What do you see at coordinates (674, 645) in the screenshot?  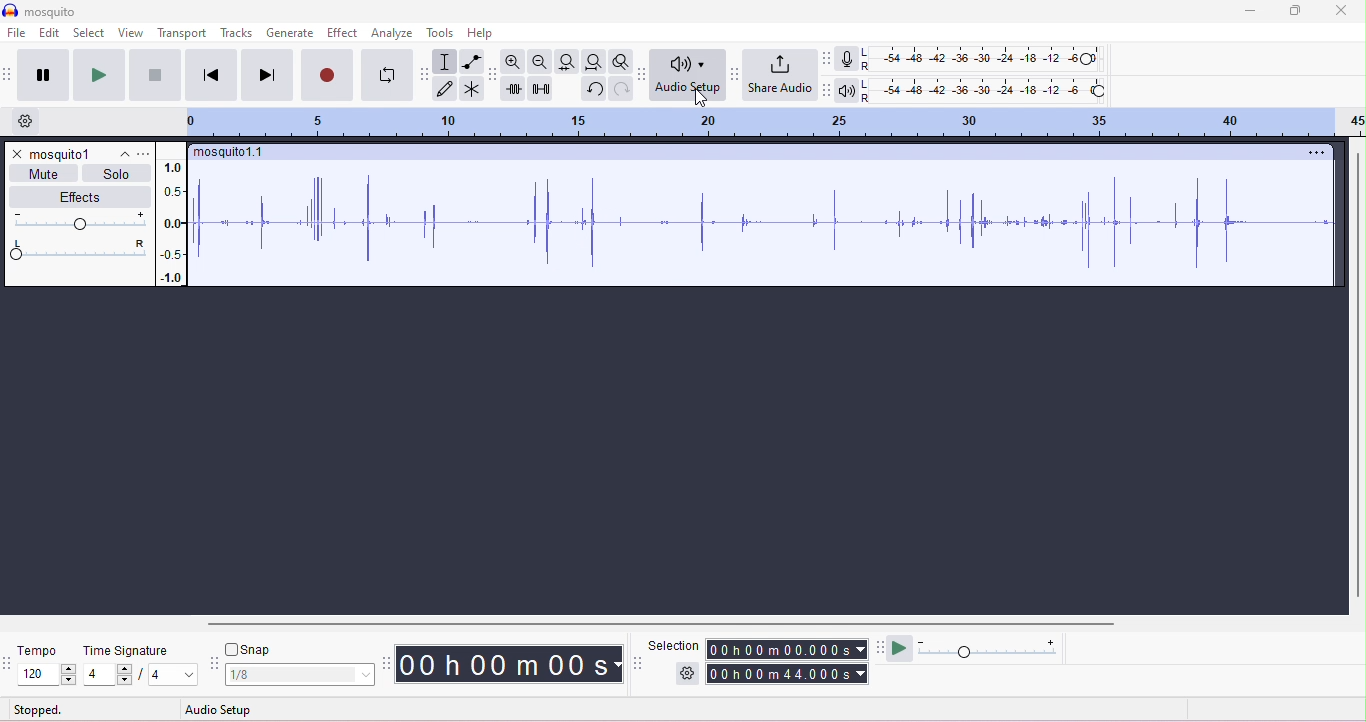 I see `selection` at bounding box center [674, 645].